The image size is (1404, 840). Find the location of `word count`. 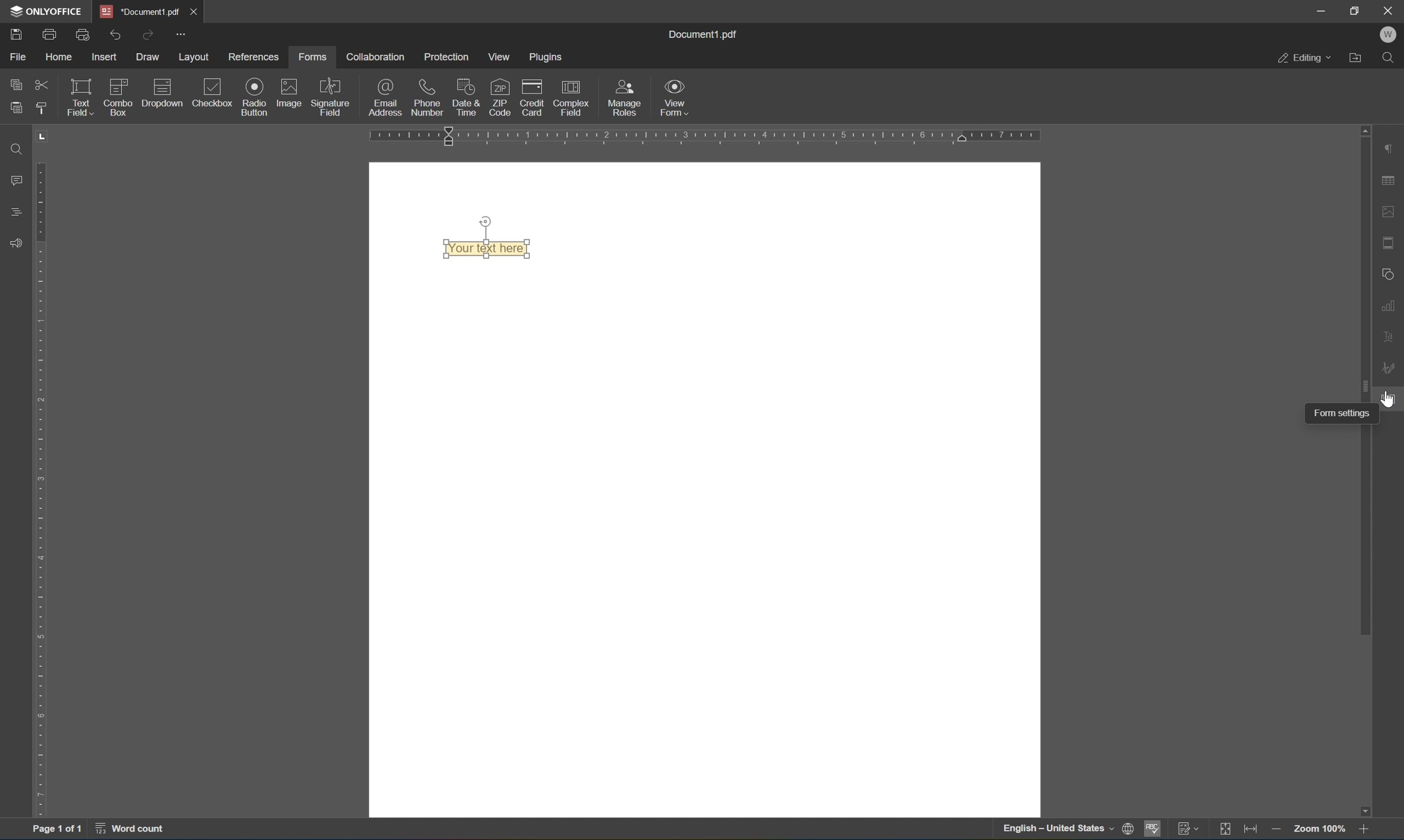

word count is located at coordinates (136, 830).